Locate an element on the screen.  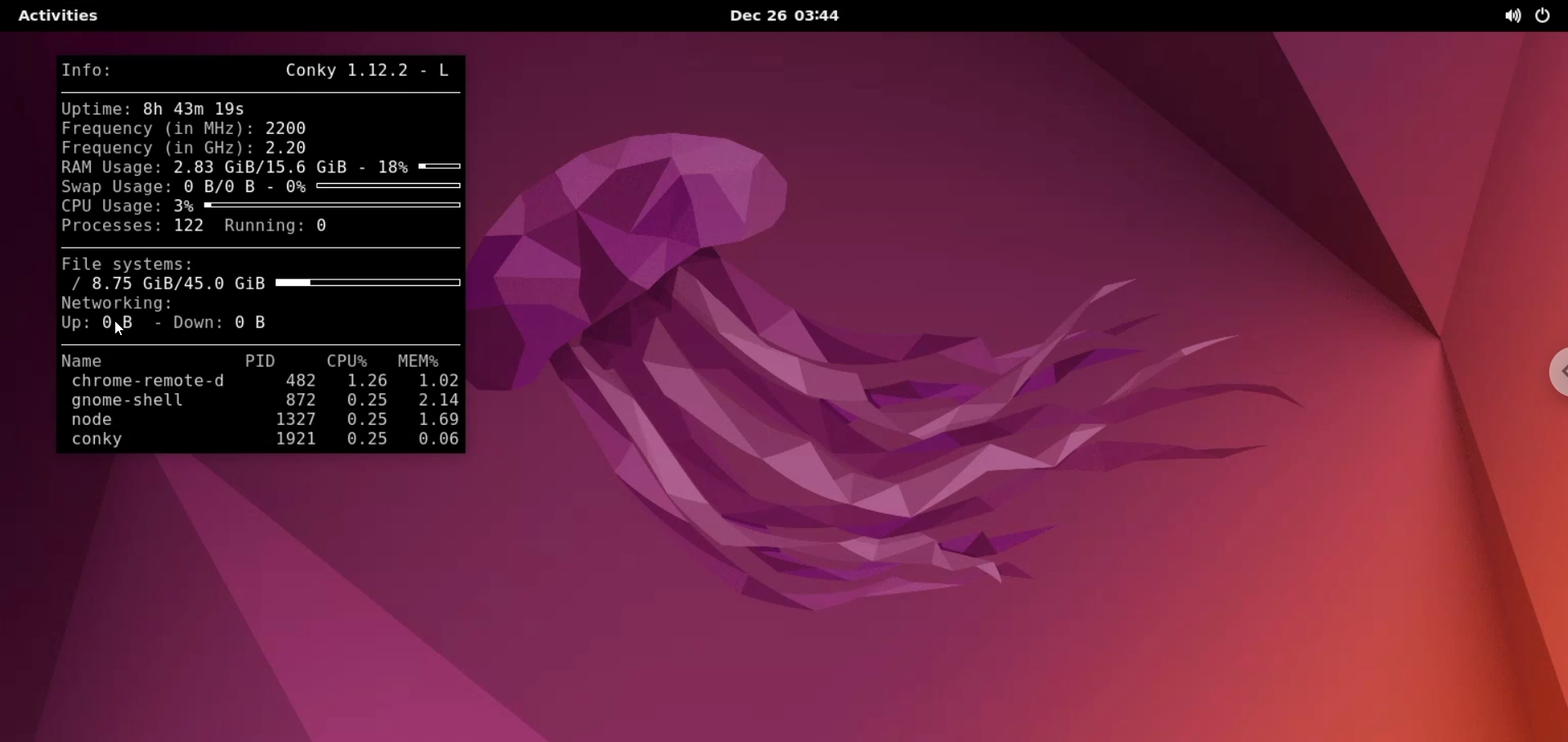
line is located at coordinates (262, 347).